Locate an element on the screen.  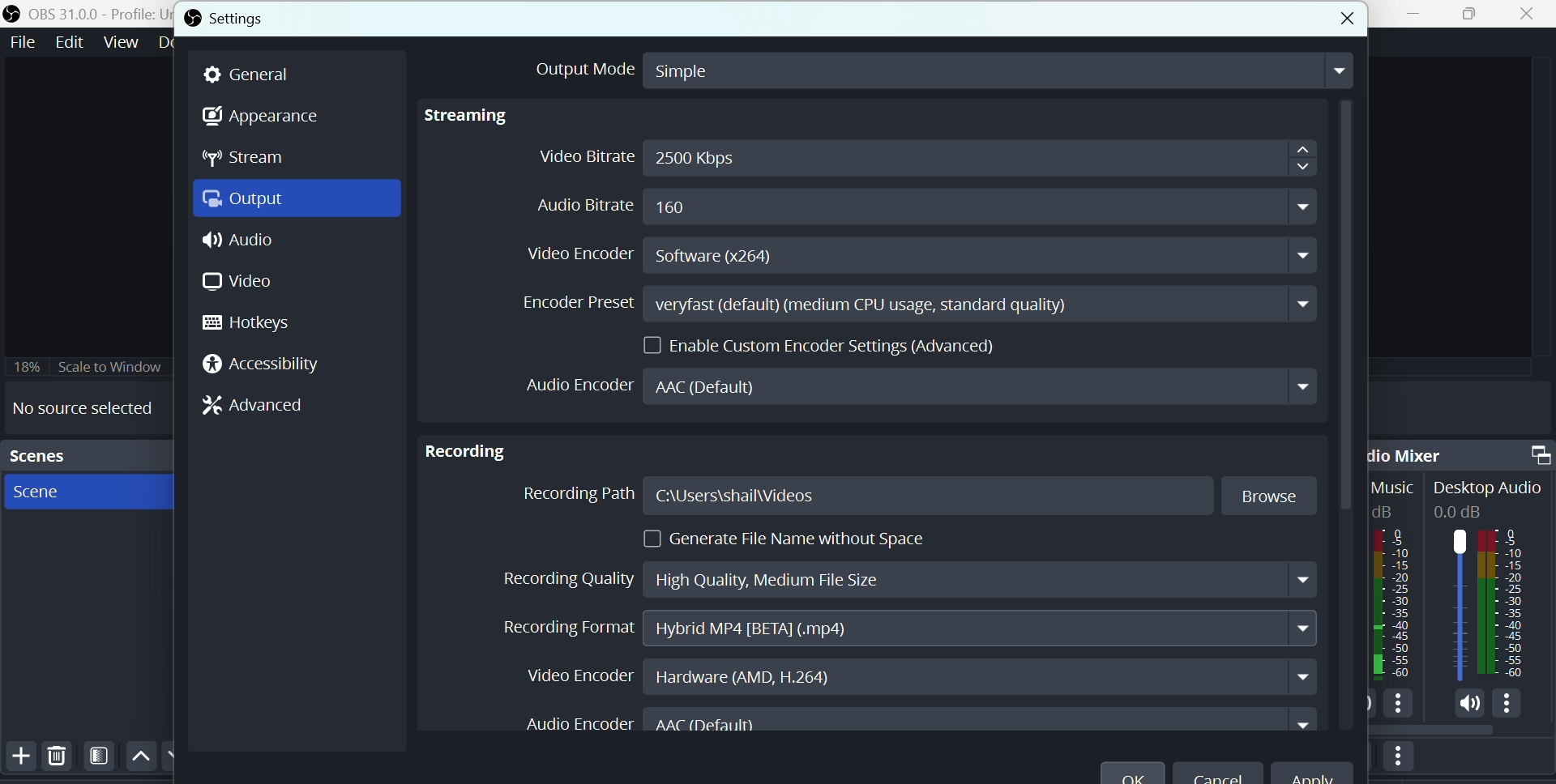
Audio encoder is located at coordinates (924, 386).